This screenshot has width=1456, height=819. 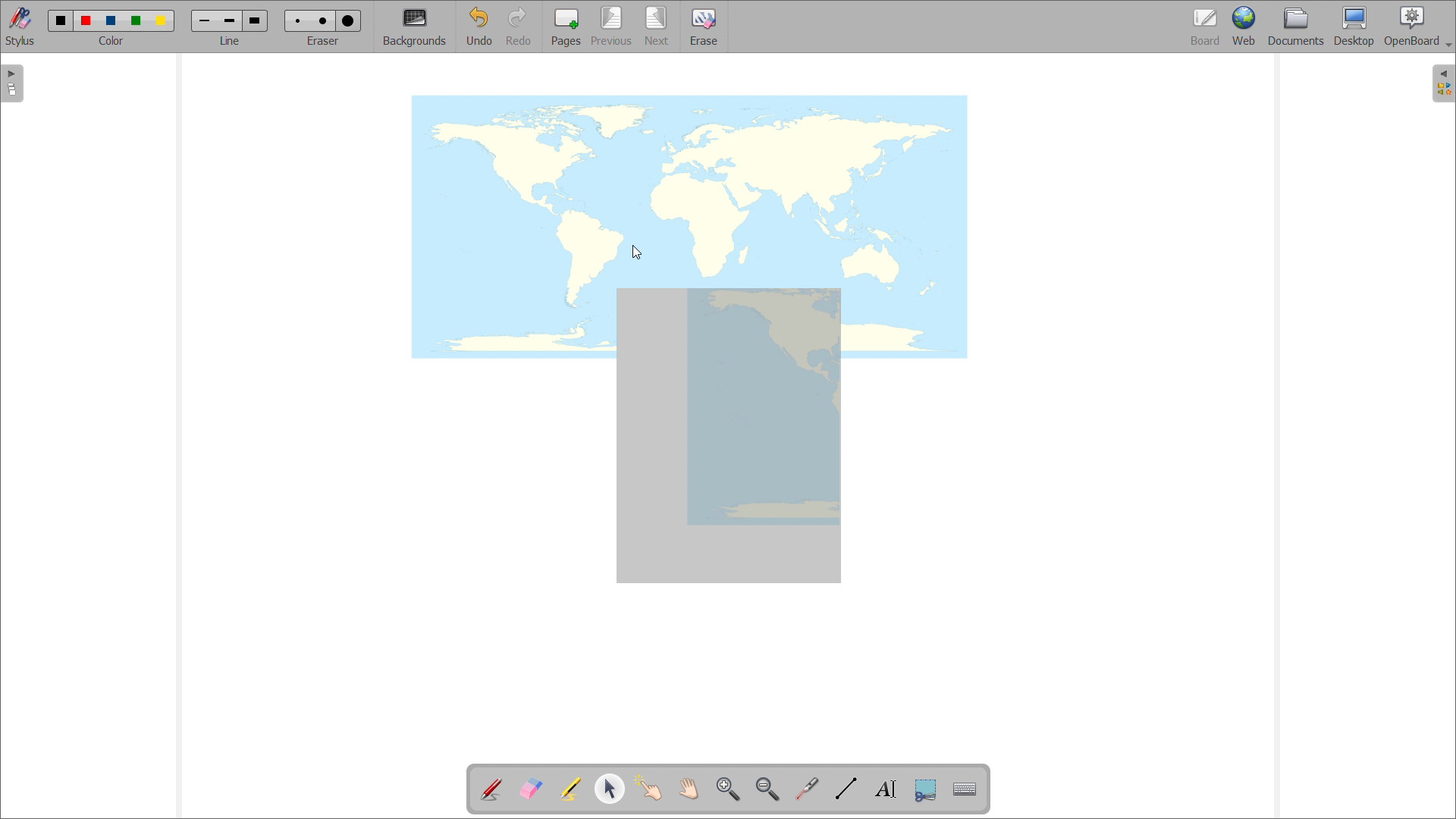 I want to click on red, so click(x=86, y=20).